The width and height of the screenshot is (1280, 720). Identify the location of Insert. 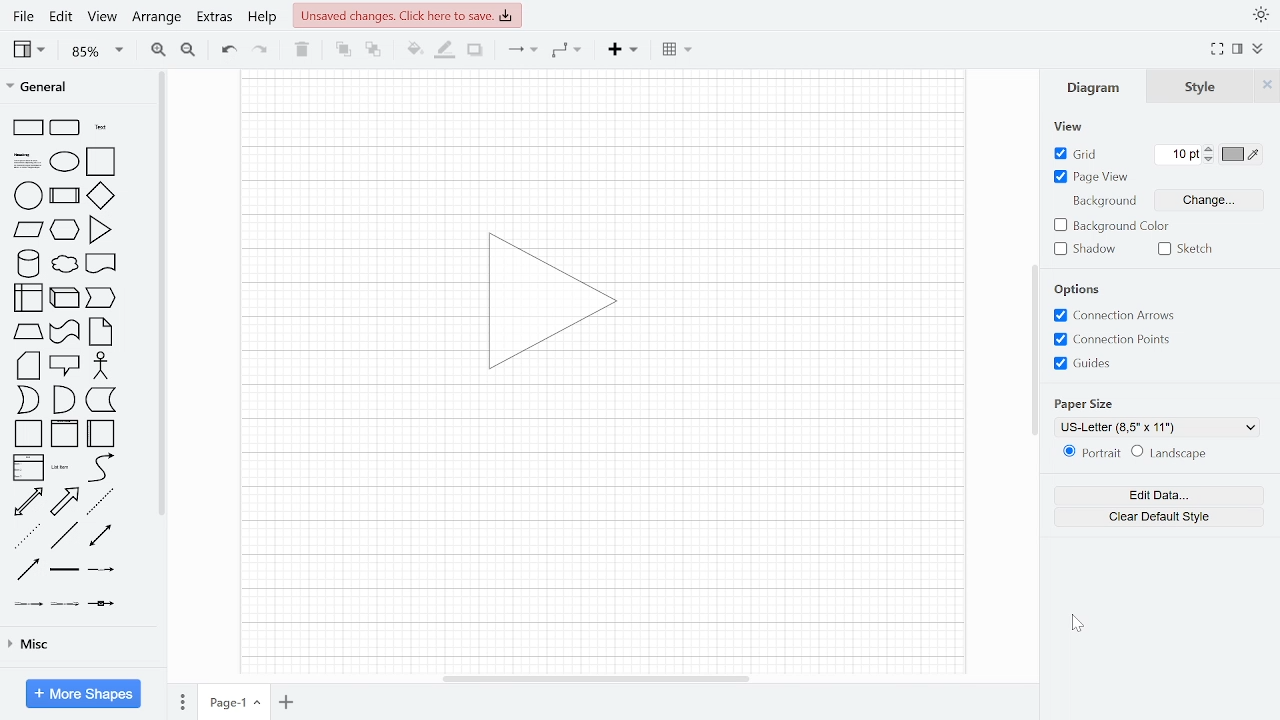
(622, 50).